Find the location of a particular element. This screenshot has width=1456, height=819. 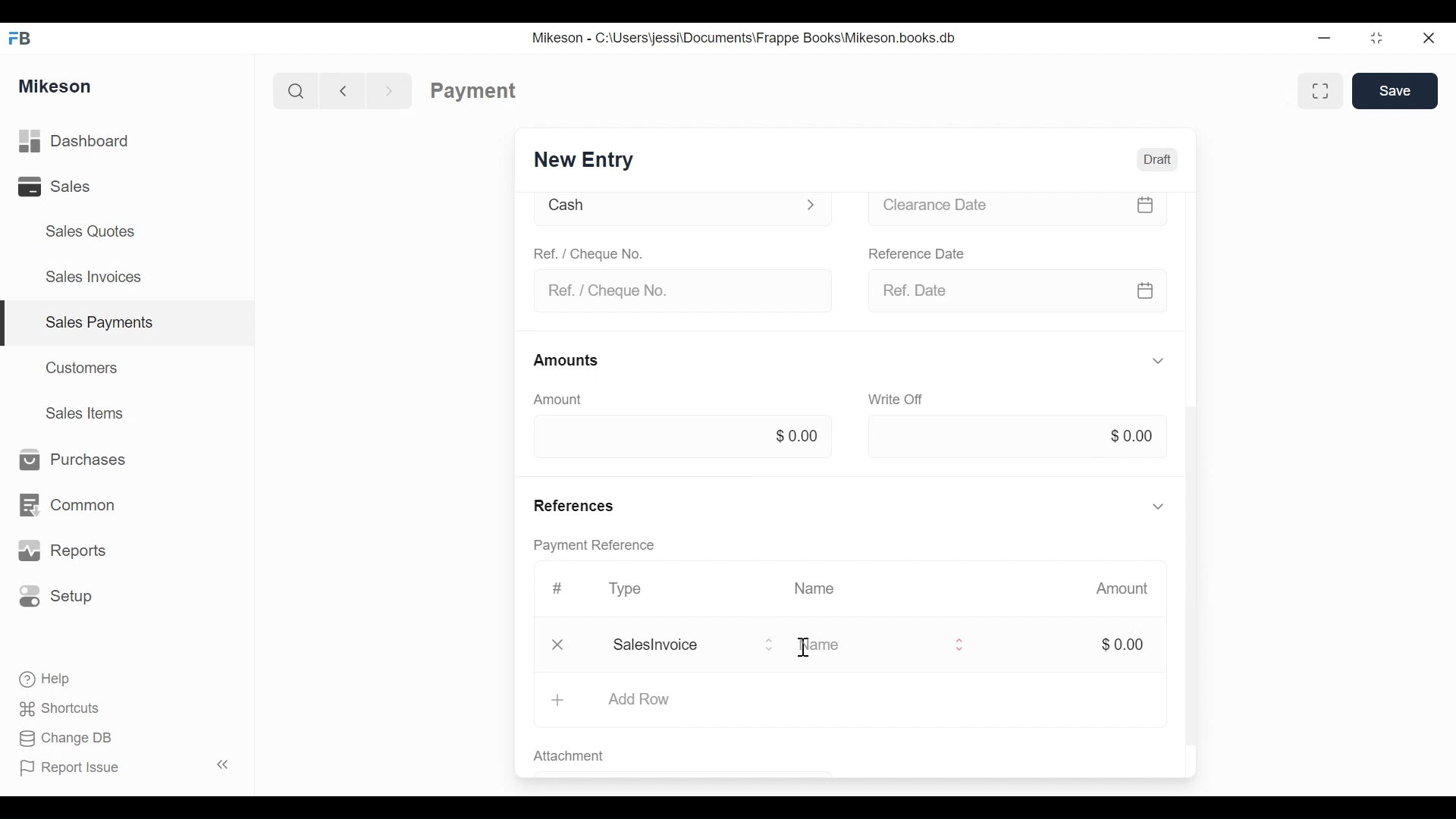

Save is located at coordinates (1398, 92).